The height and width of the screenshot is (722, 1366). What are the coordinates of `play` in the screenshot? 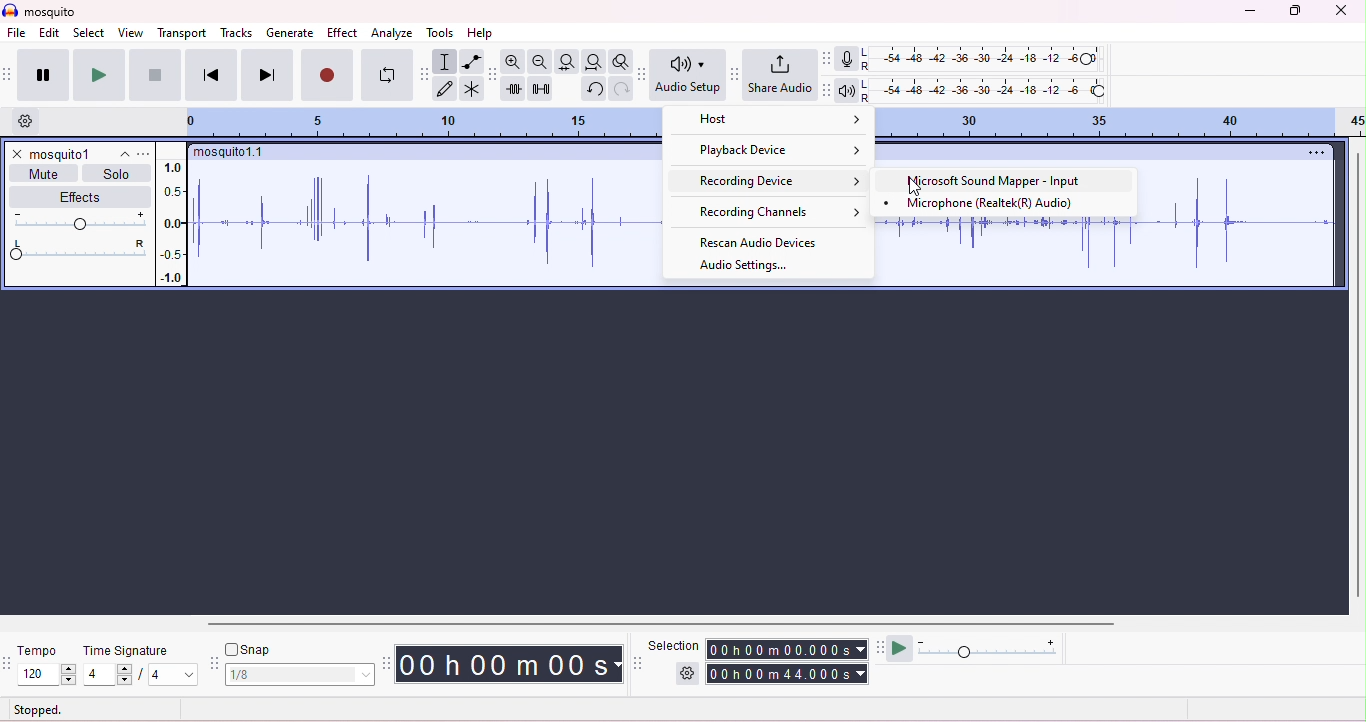 It's located at (97, 74).